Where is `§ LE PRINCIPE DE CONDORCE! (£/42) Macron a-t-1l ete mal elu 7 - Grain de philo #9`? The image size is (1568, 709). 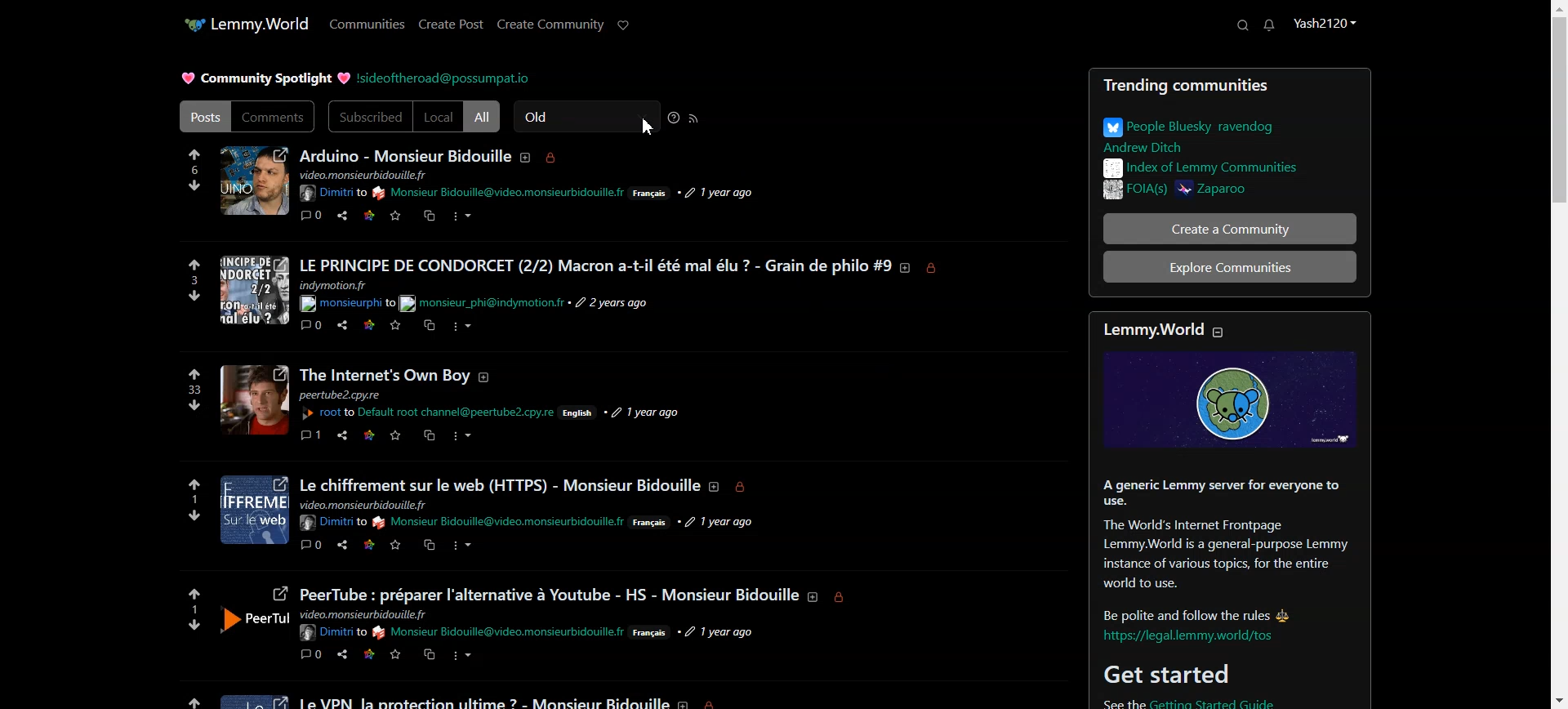
§ LE PRINCIPE DE CONDORCE! (£/42) Macron a-t-1l ete mal elu 7 - Grain de philo #9 is located at coordinates (596, 265).